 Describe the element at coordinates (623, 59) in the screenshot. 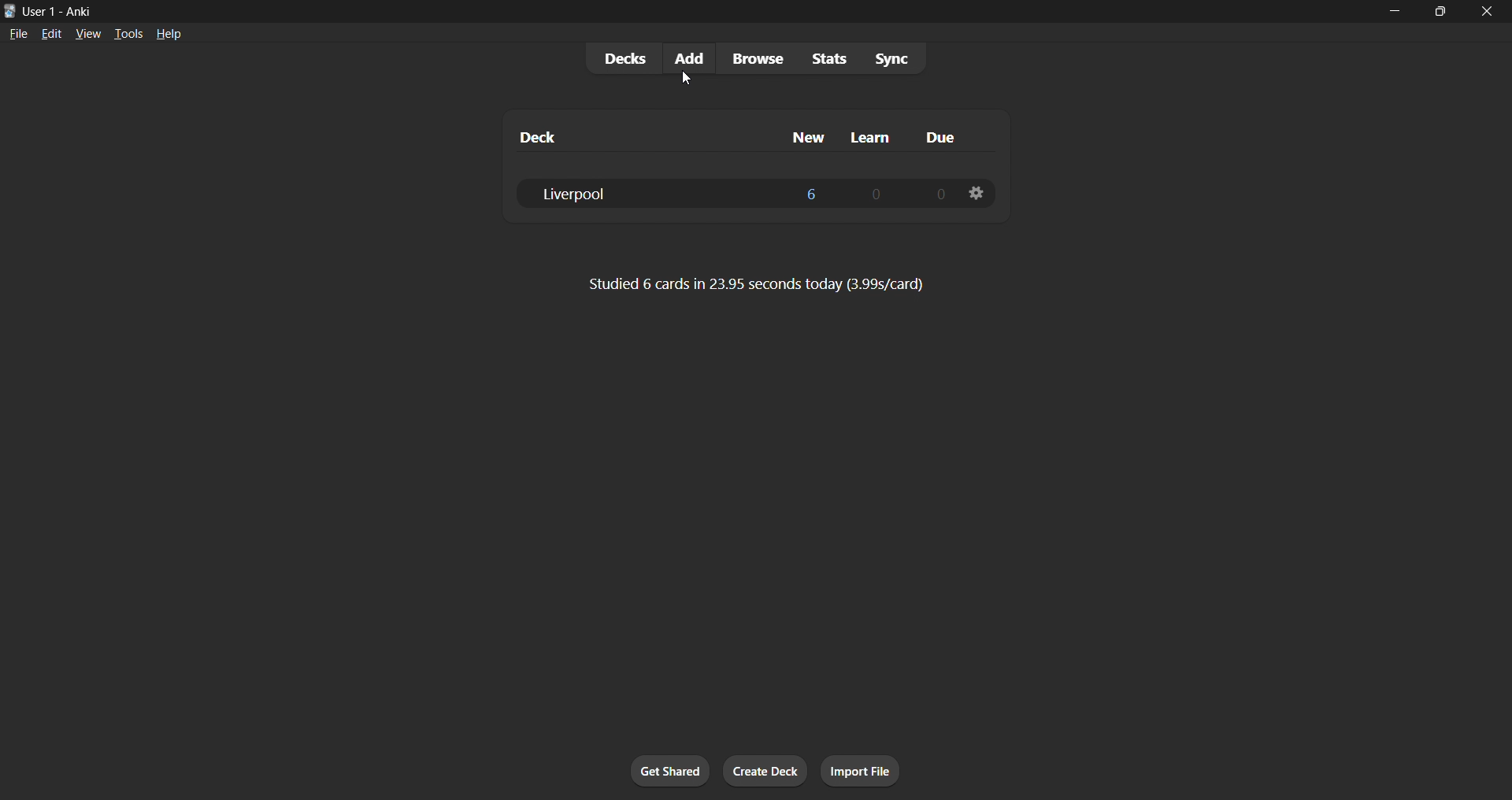

I see `decks` at that location.